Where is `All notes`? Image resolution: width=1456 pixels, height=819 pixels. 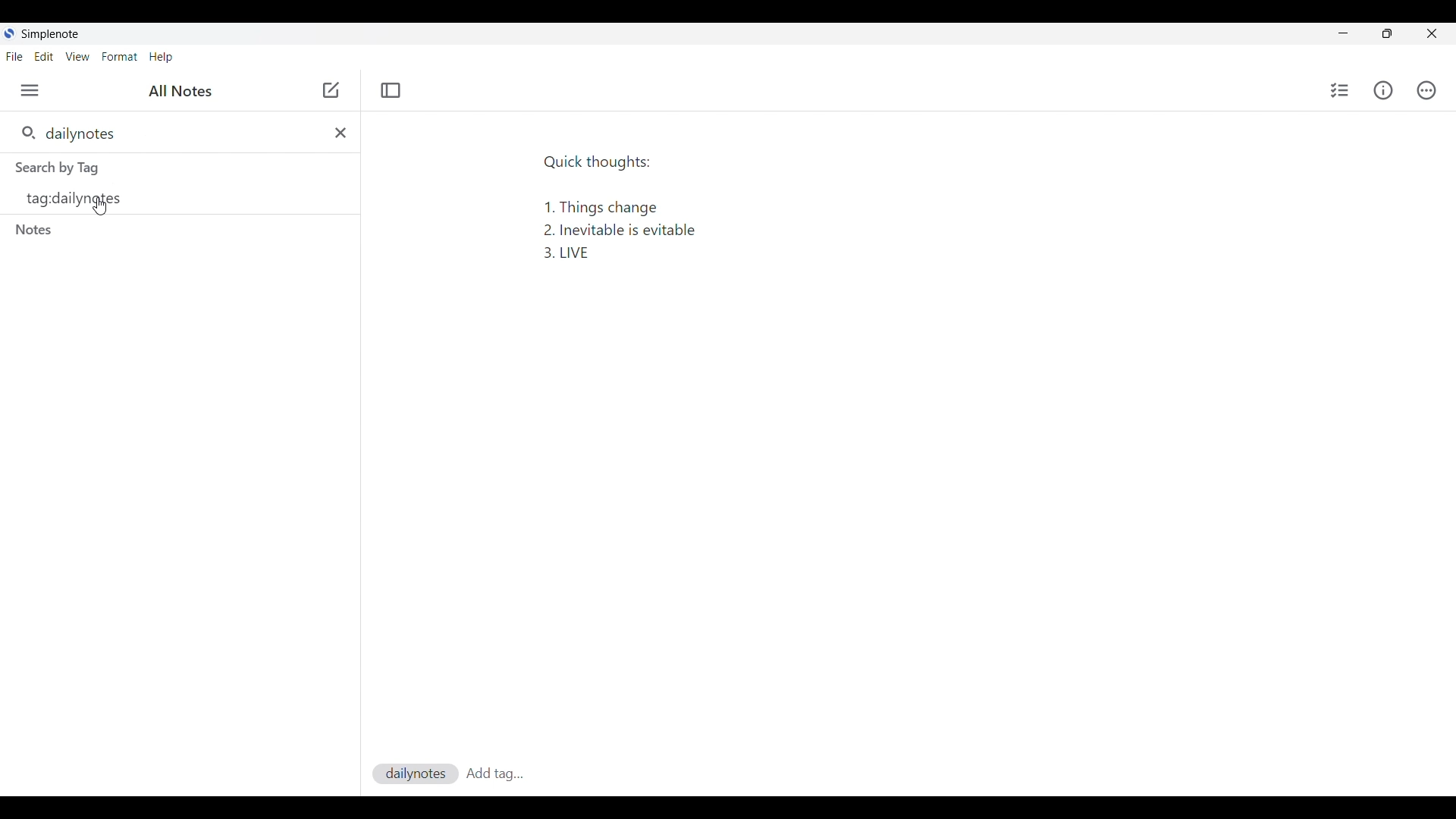
All notes is located at coordinates (180, 91).